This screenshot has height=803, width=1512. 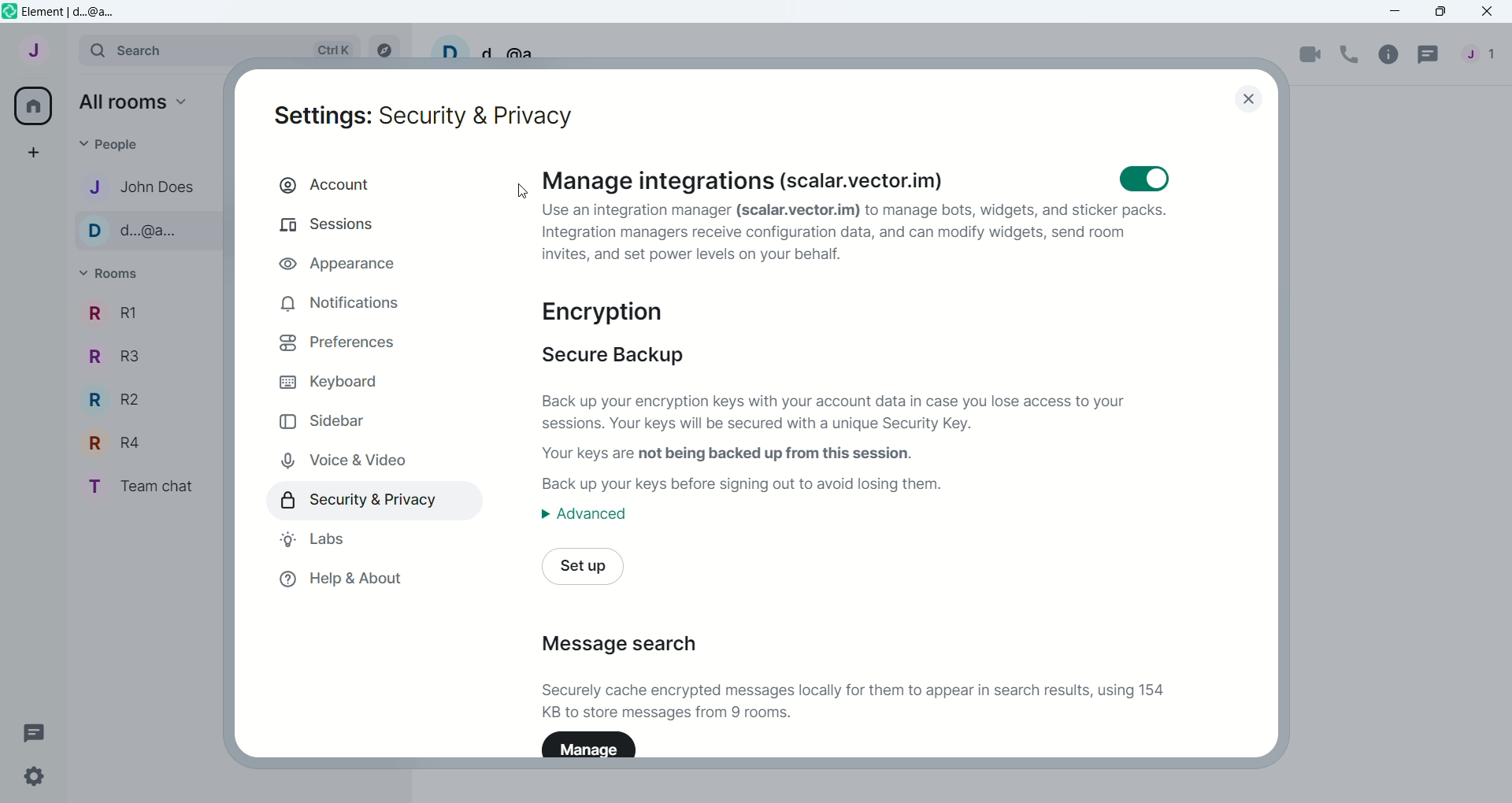 What do you see at coordinates (339, 269) in the screenshot?
I see `appearance` at bounding box center [339, 269].